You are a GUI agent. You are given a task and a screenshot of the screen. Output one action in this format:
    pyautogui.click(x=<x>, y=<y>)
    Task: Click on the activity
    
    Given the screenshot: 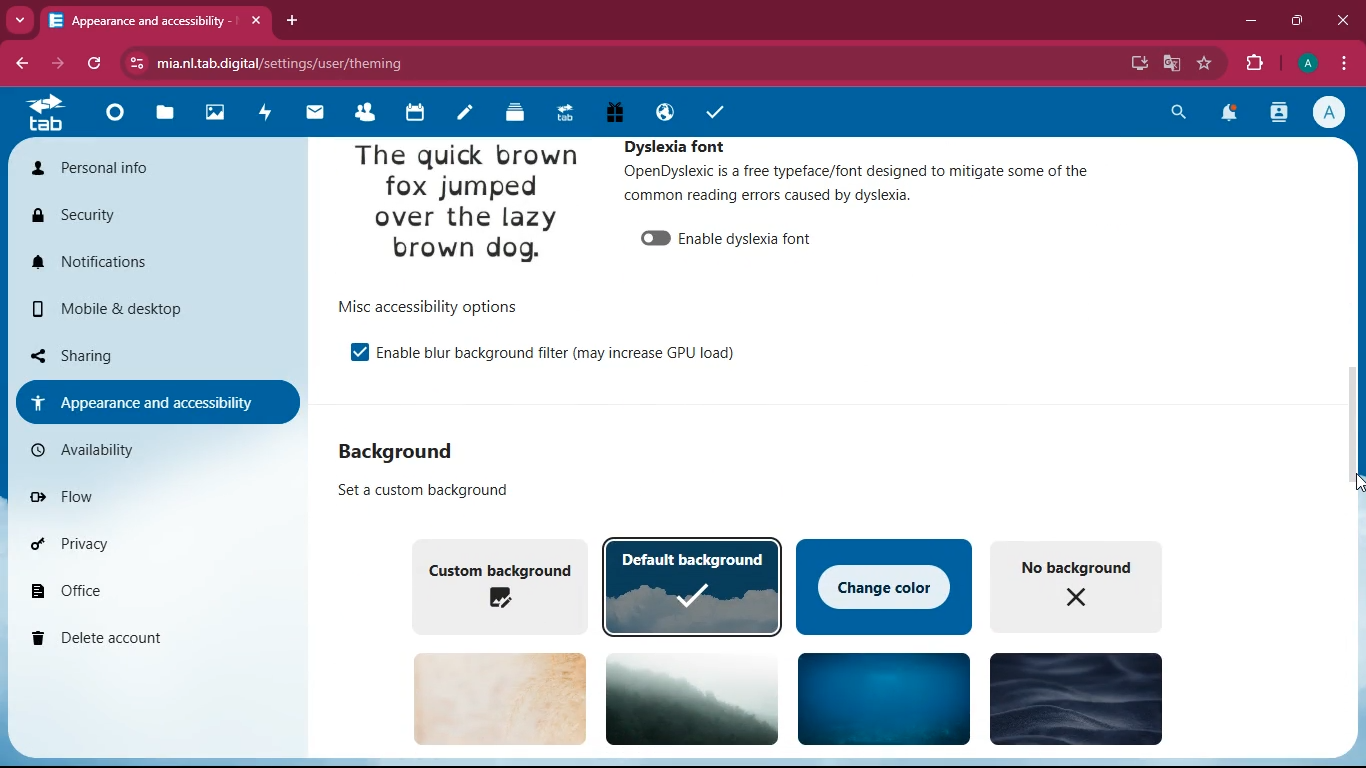 What is the action you would take?
    pyautogui.click(x=260, y=114)
    